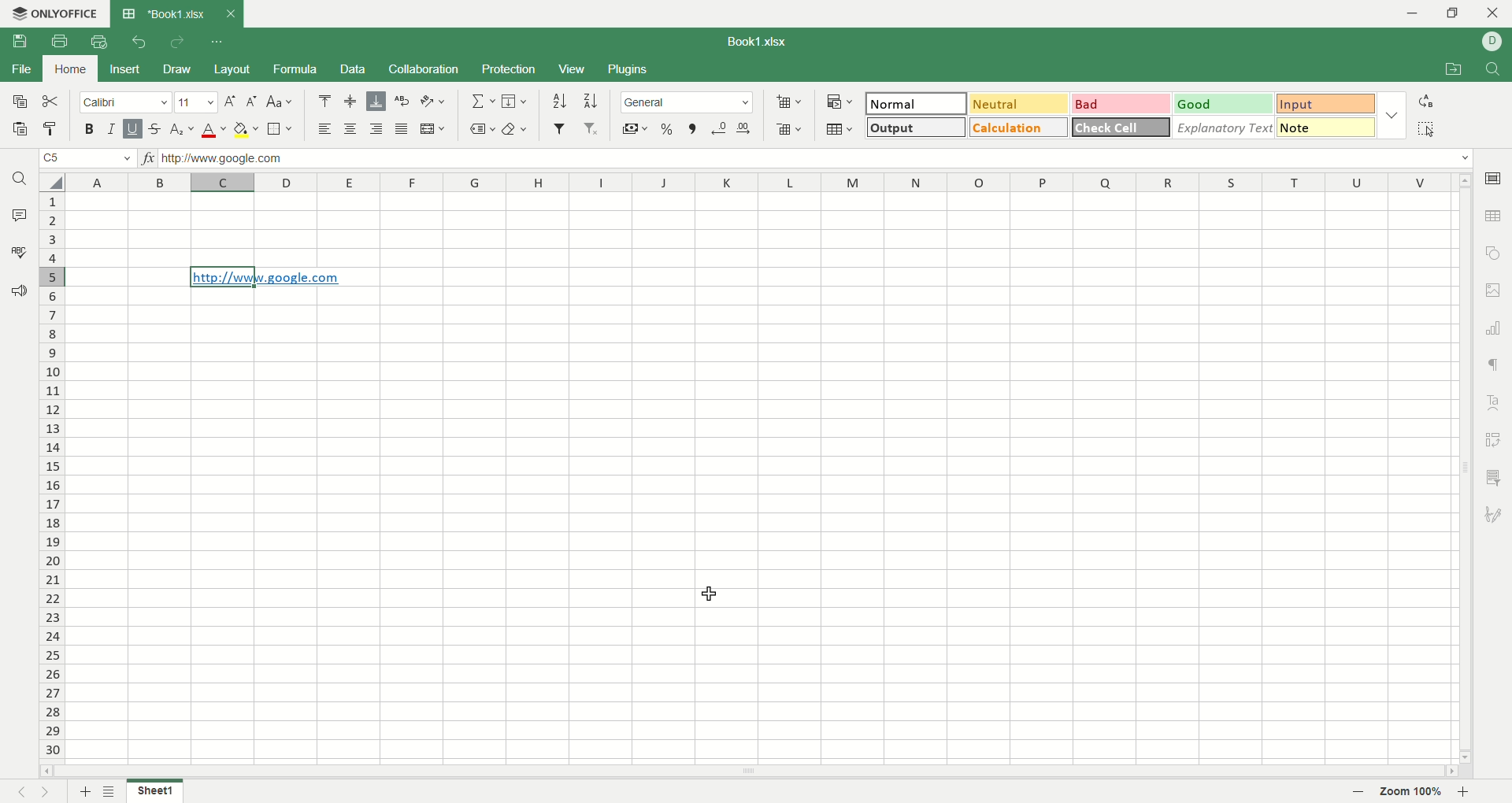  I want to click on clear, so click(519, 128).